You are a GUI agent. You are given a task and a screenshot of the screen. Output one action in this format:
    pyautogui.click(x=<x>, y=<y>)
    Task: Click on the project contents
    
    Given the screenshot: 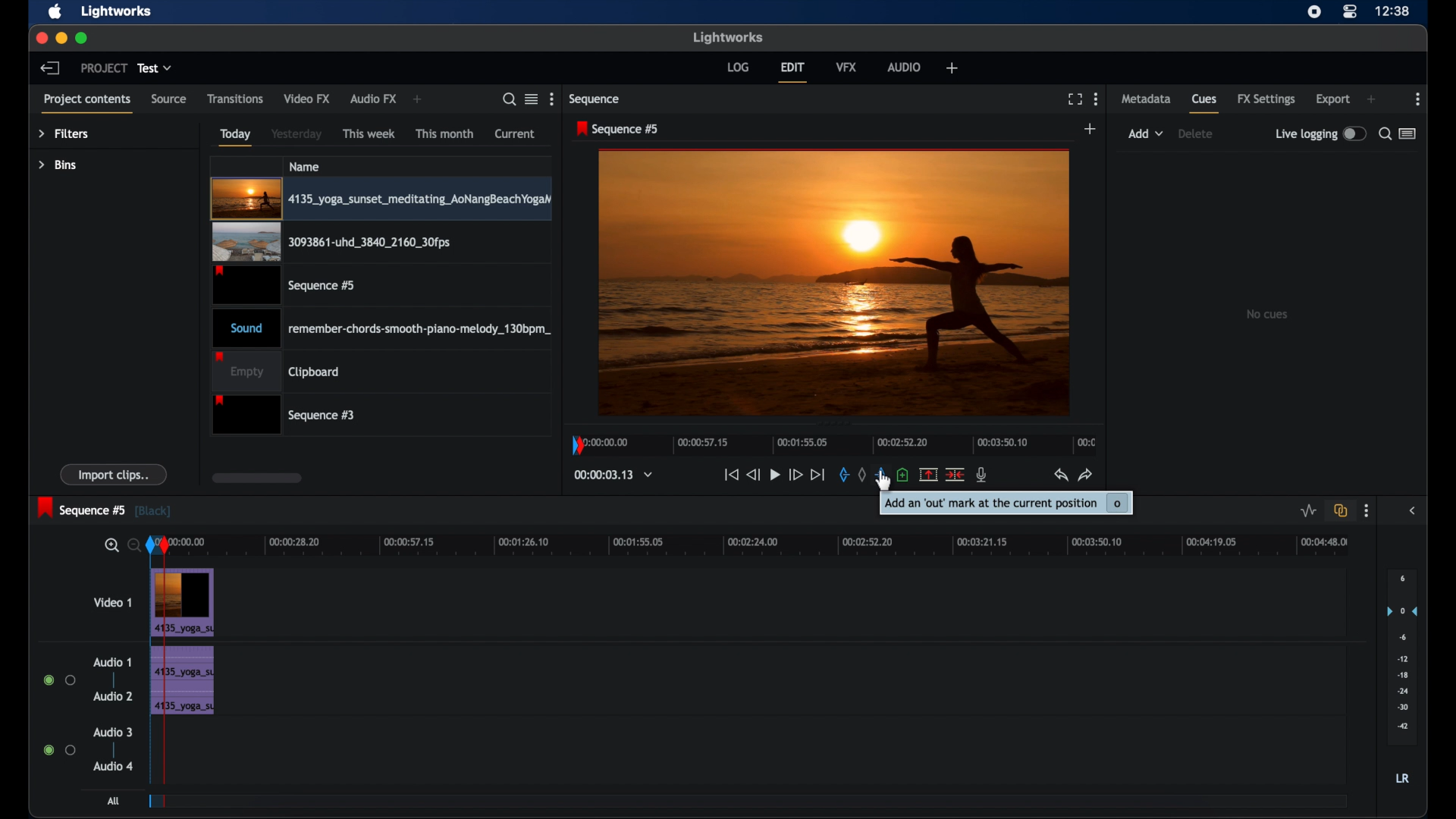 What is the action you would take?
    pyautogui.click(x=86, y=103)
    